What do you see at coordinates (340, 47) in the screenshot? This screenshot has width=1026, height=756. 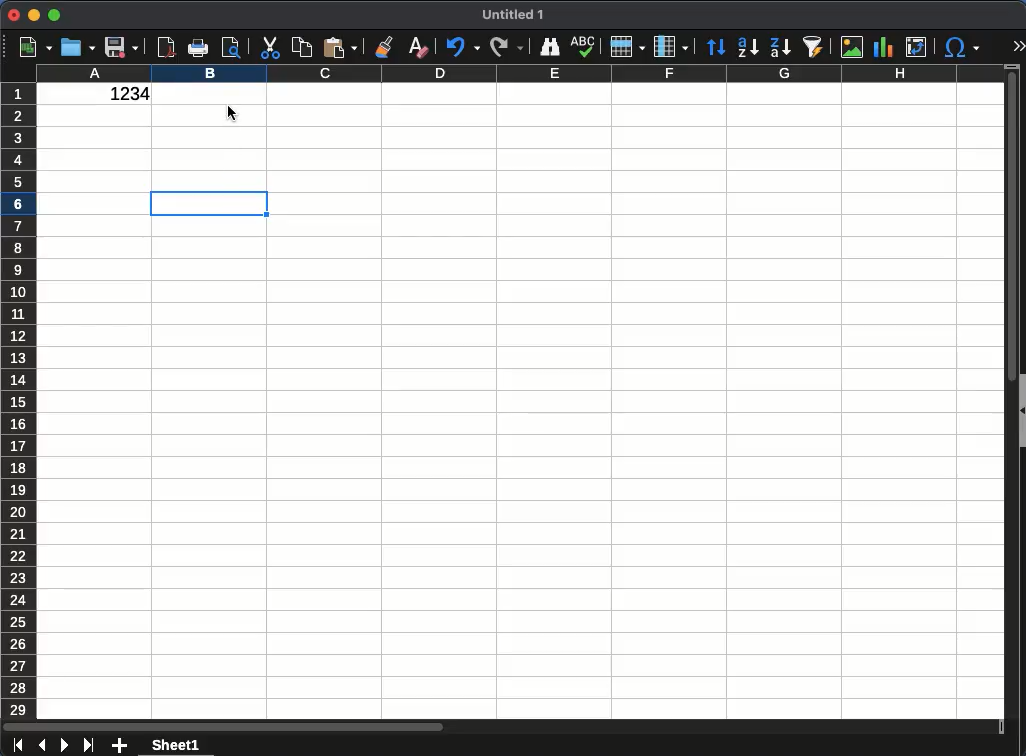 I see `paste` at bounding box center [340, 47].